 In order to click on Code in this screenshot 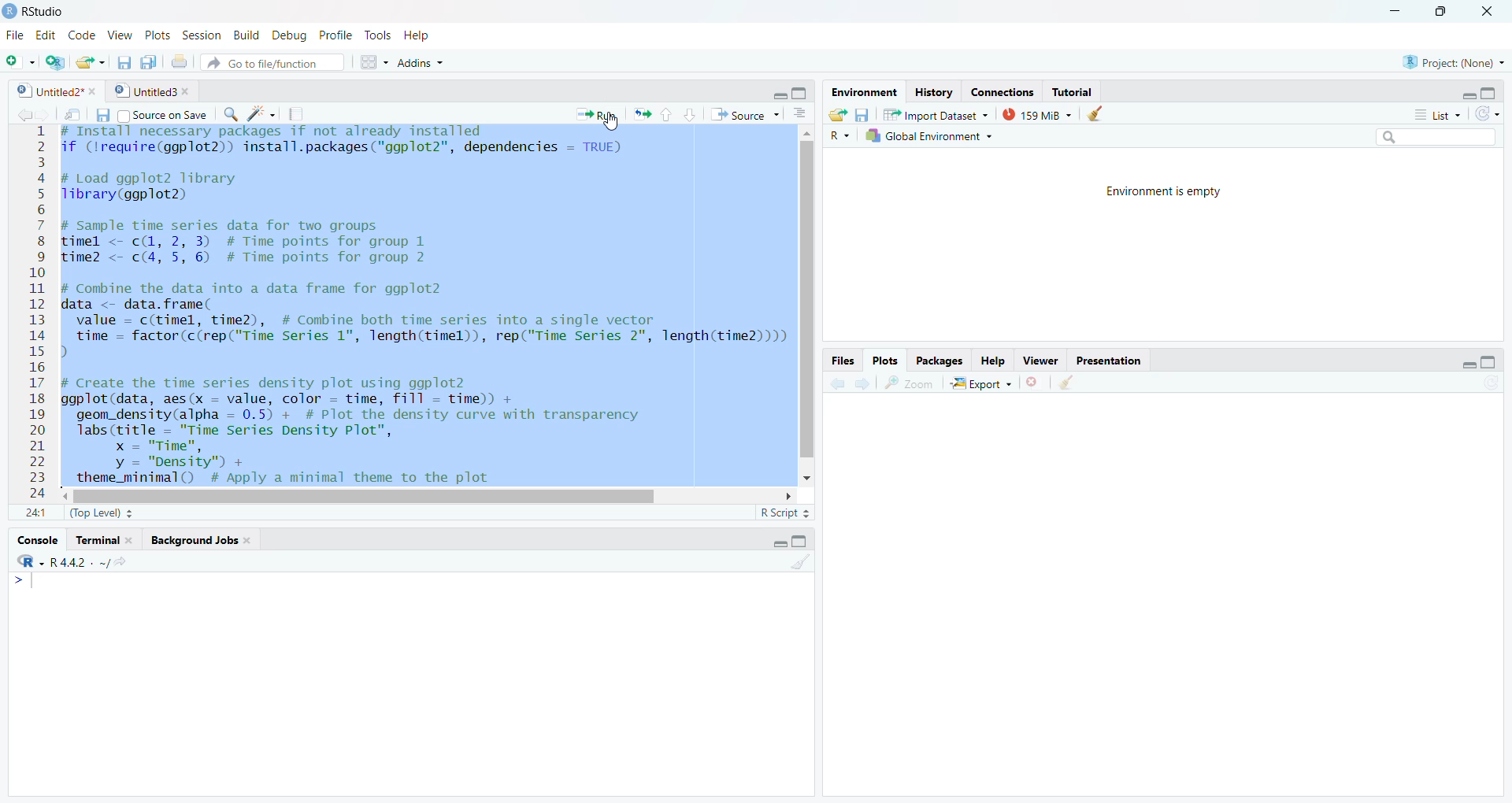, I will do `click(83, 35)`.